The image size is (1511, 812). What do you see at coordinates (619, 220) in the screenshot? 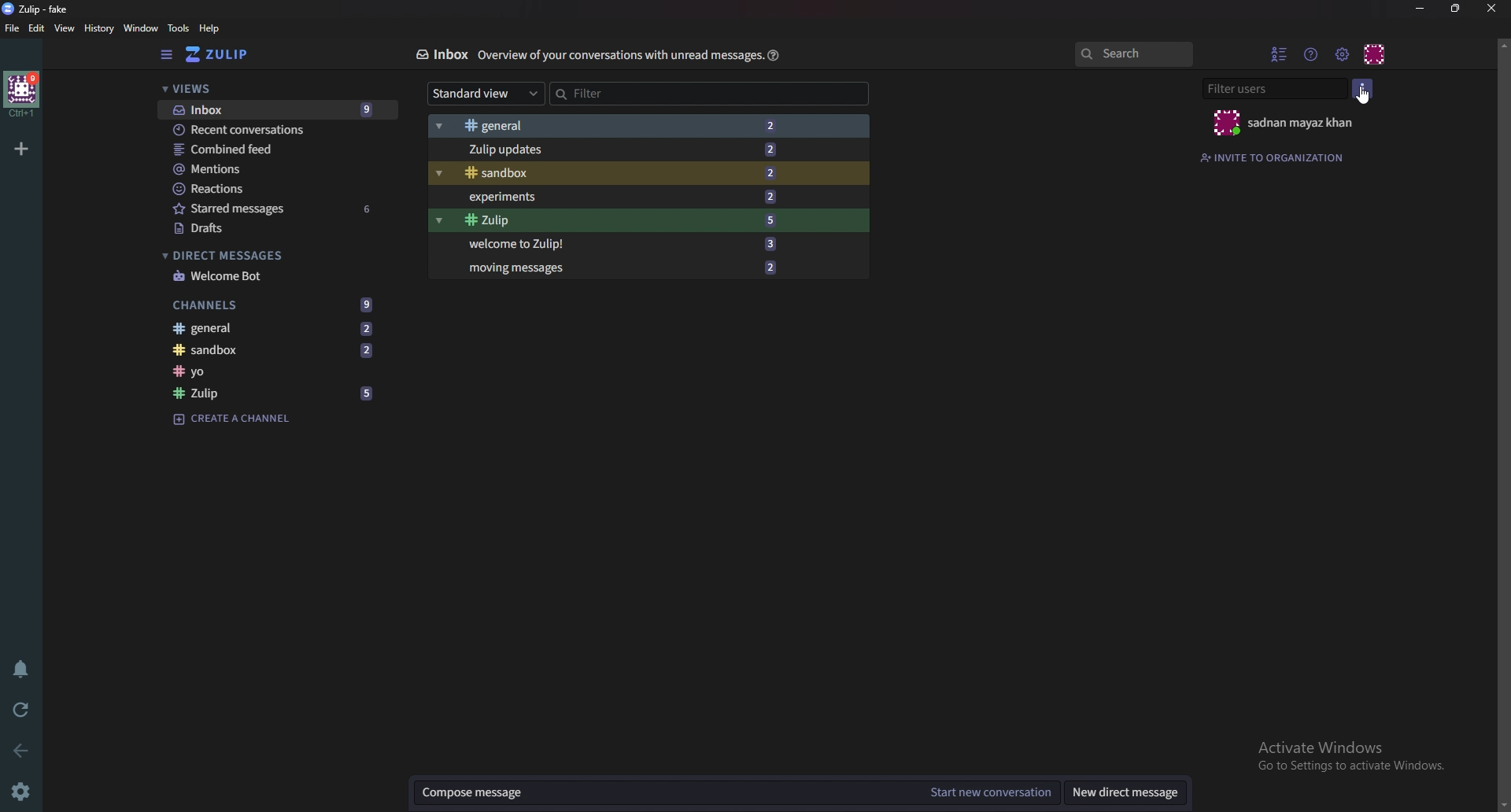
I see `Zulip` at bounding box center [619, 220].